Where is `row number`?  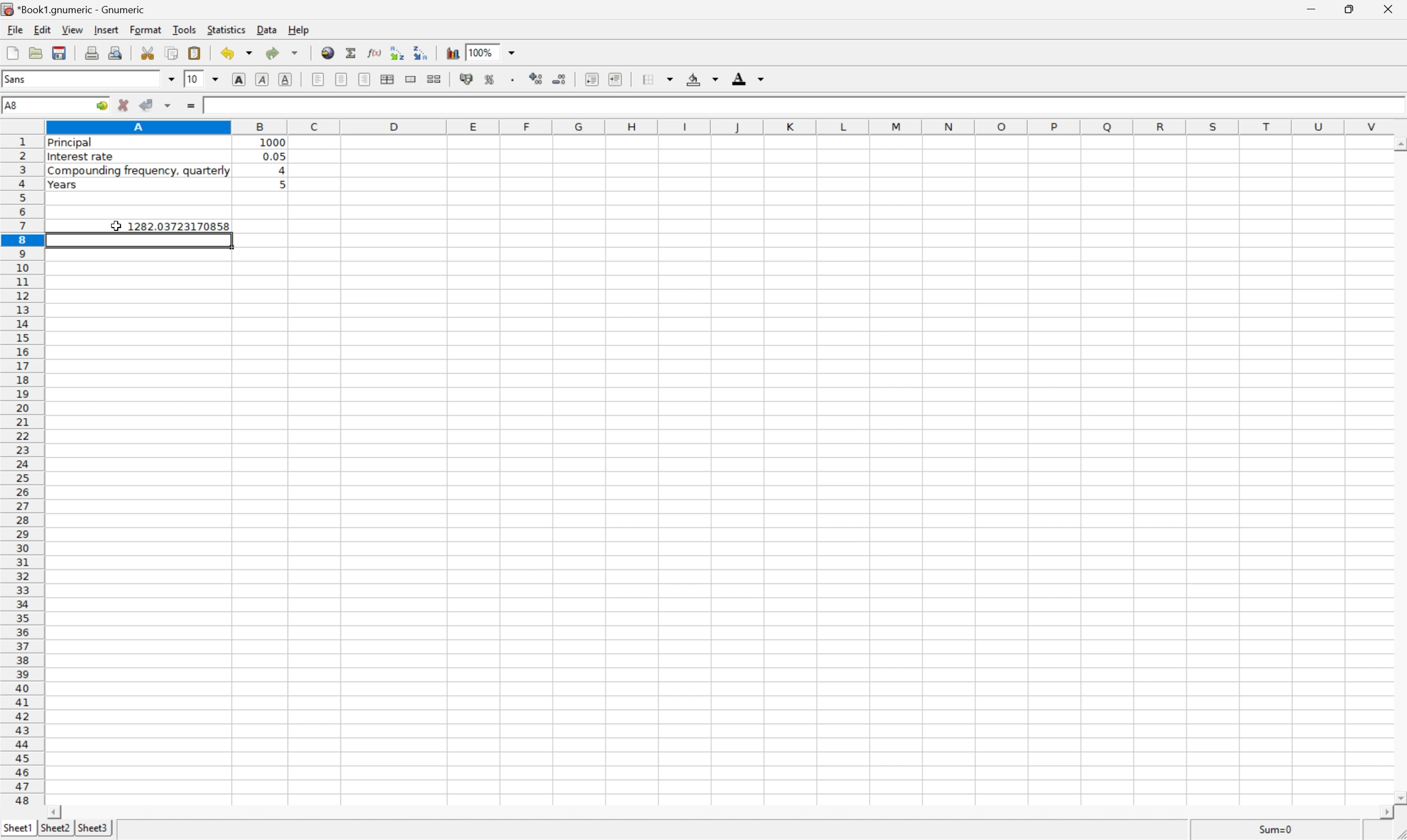
row number is located at coordinates (20, 470).